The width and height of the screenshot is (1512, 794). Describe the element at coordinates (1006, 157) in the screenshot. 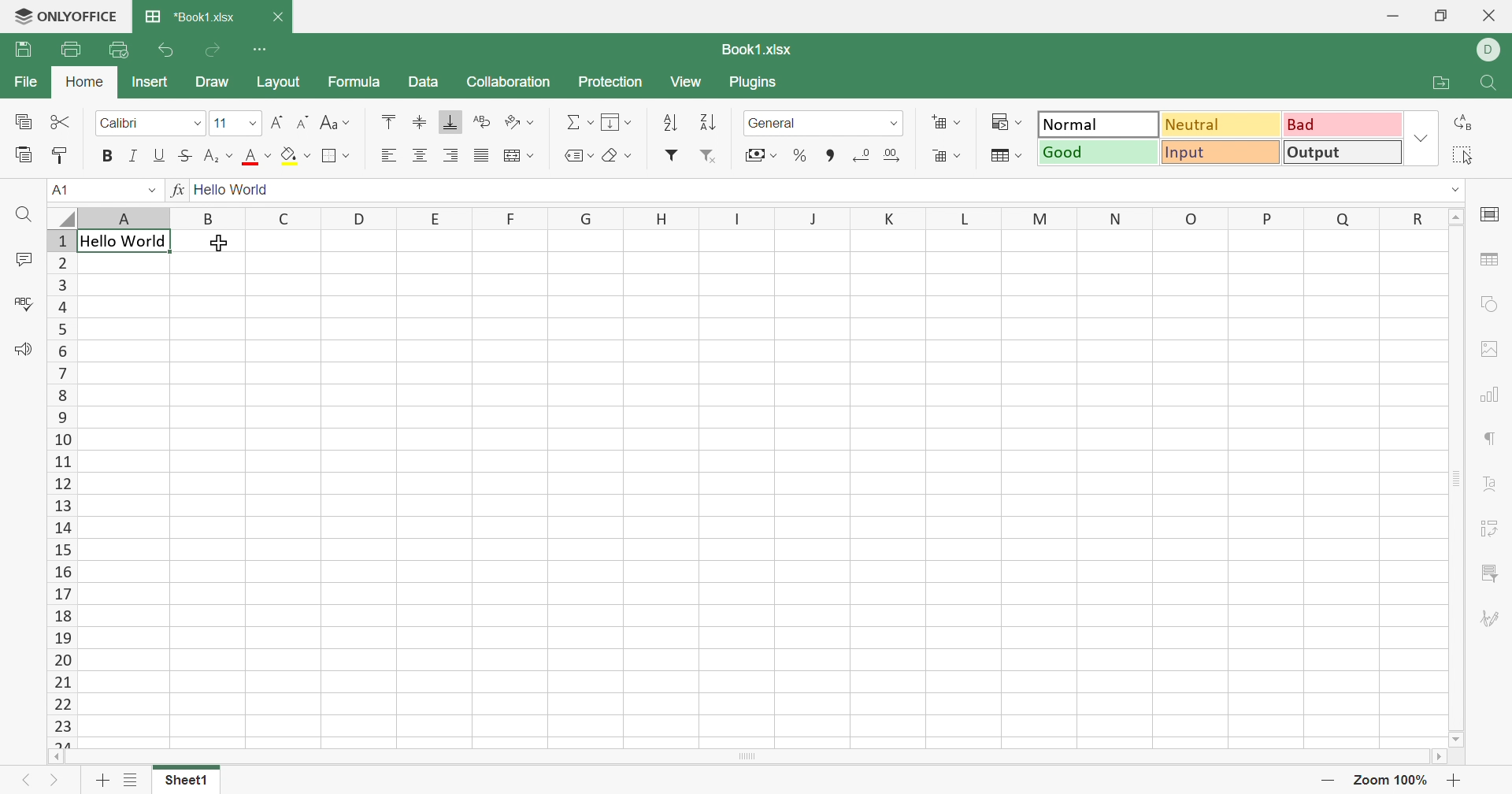

I see `Format as table template` at that location.